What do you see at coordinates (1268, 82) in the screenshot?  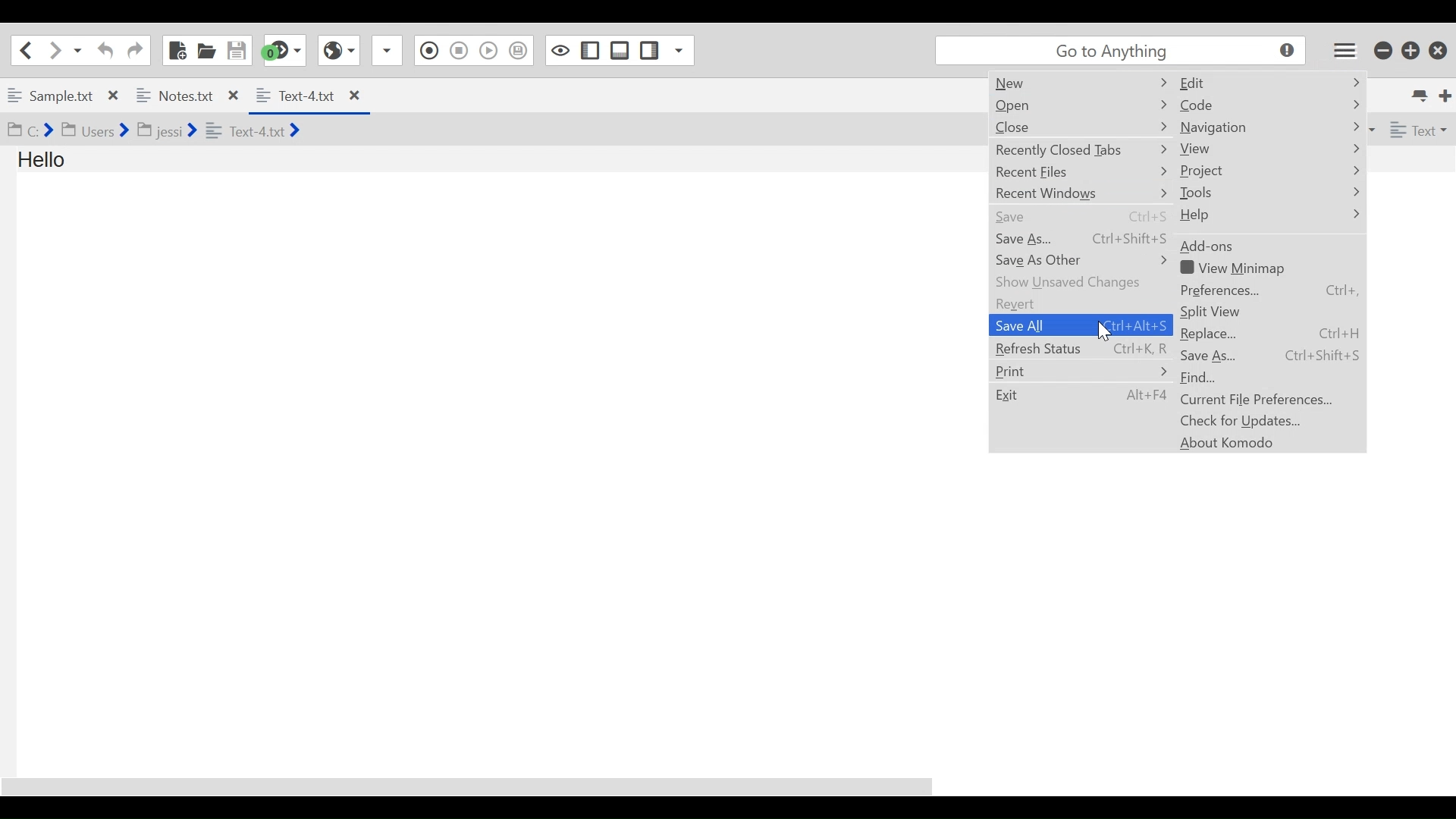 I see `Edit` at bounding box center [1268, 82].